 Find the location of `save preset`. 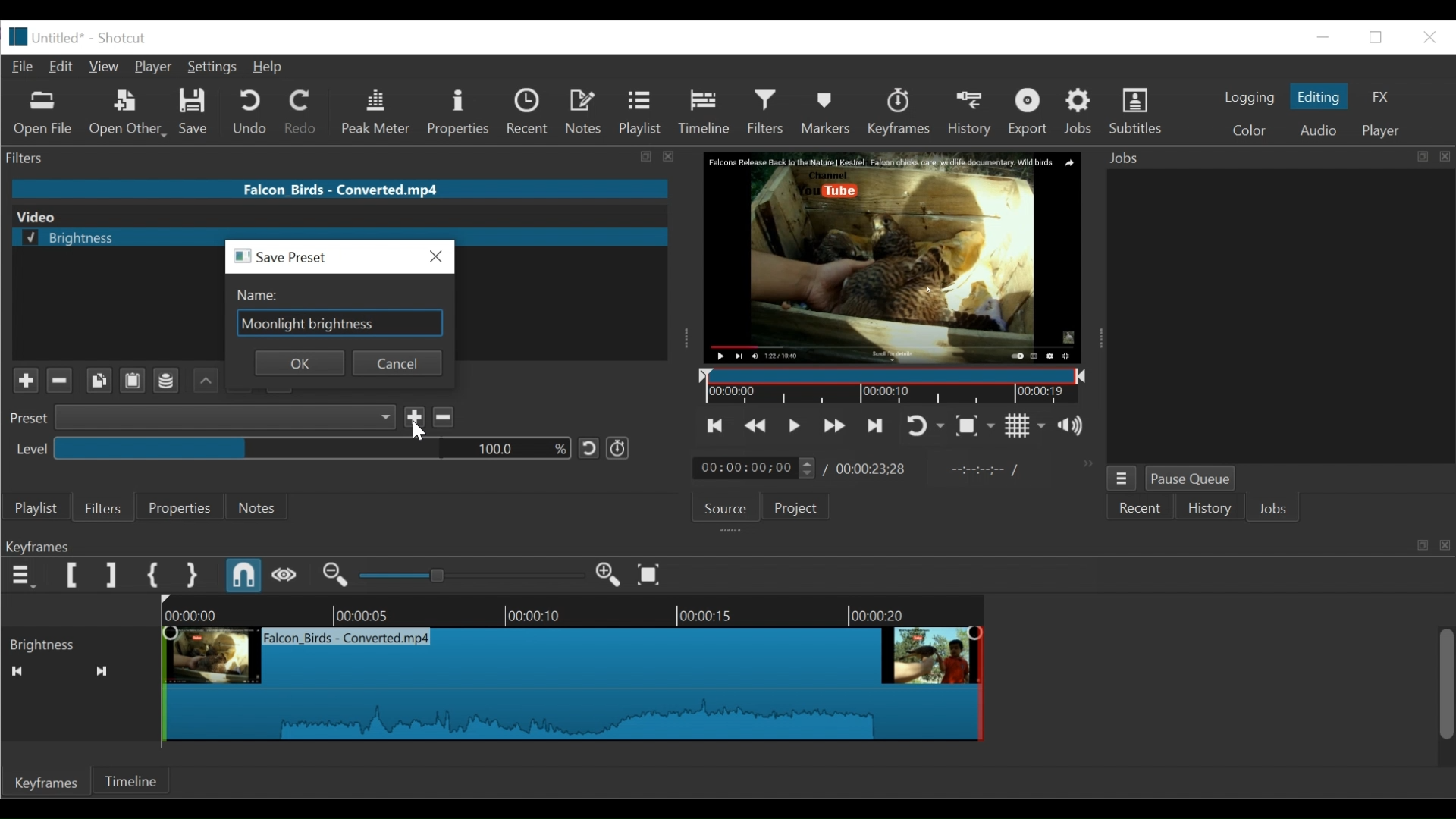

save preset is located at coordinates (287, 259).